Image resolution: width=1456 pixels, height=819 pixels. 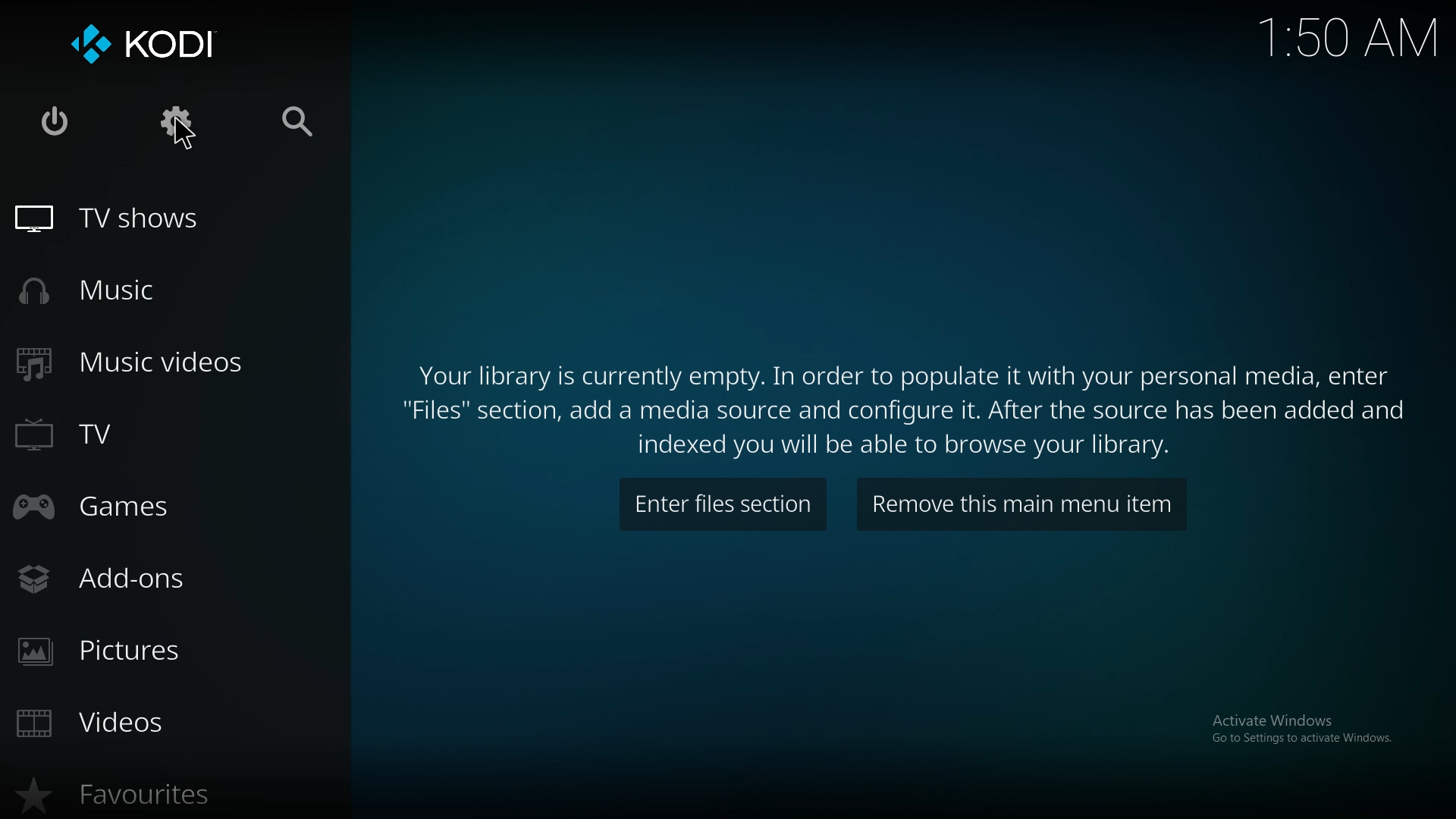 What do you see at coordinates (296, 122) in the screenshot?
I see `search` at bounding box center [296, 122].